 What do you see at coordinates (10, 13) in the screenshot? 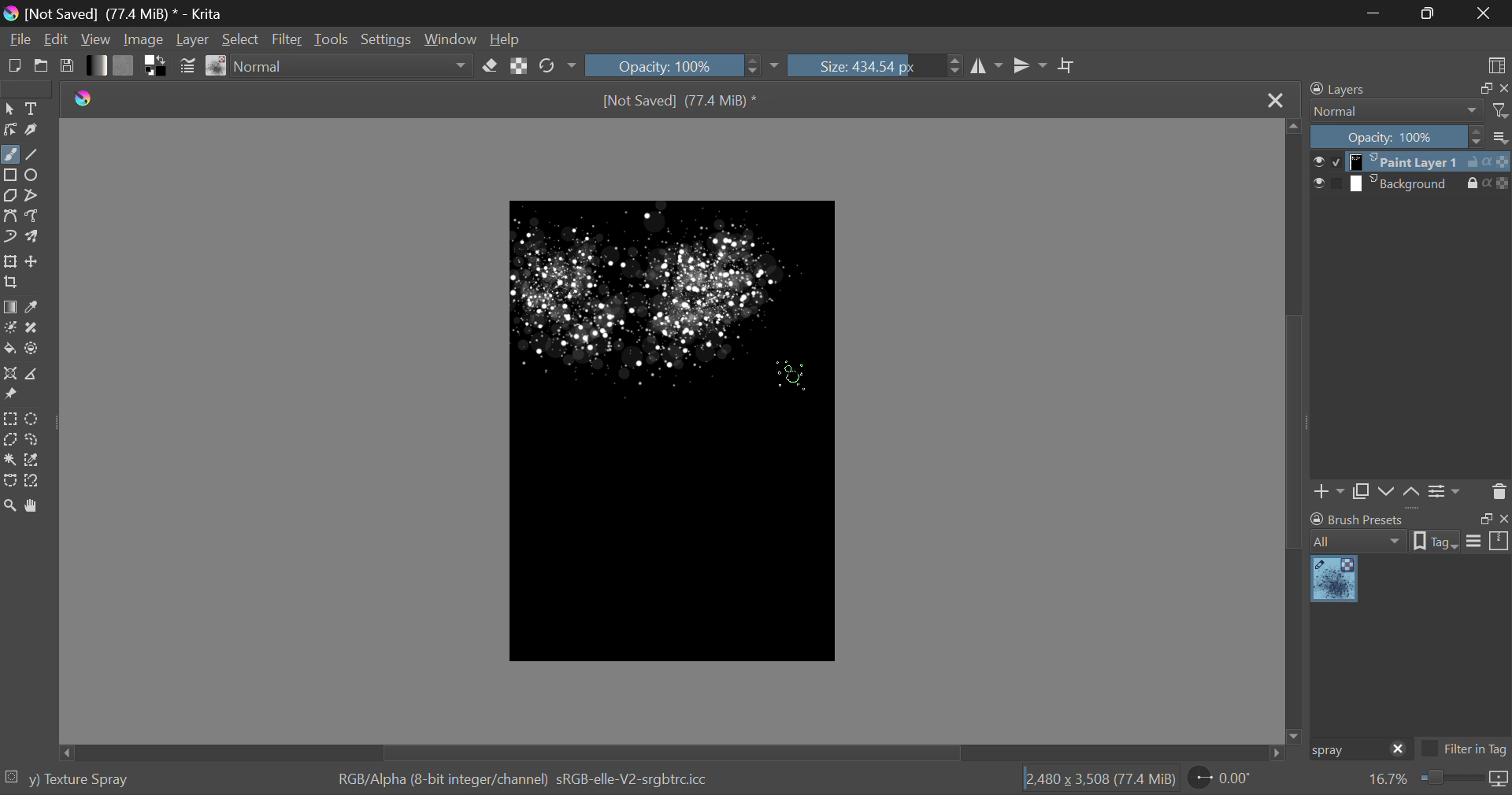
I see `logo` at bounding box center [10, 13].